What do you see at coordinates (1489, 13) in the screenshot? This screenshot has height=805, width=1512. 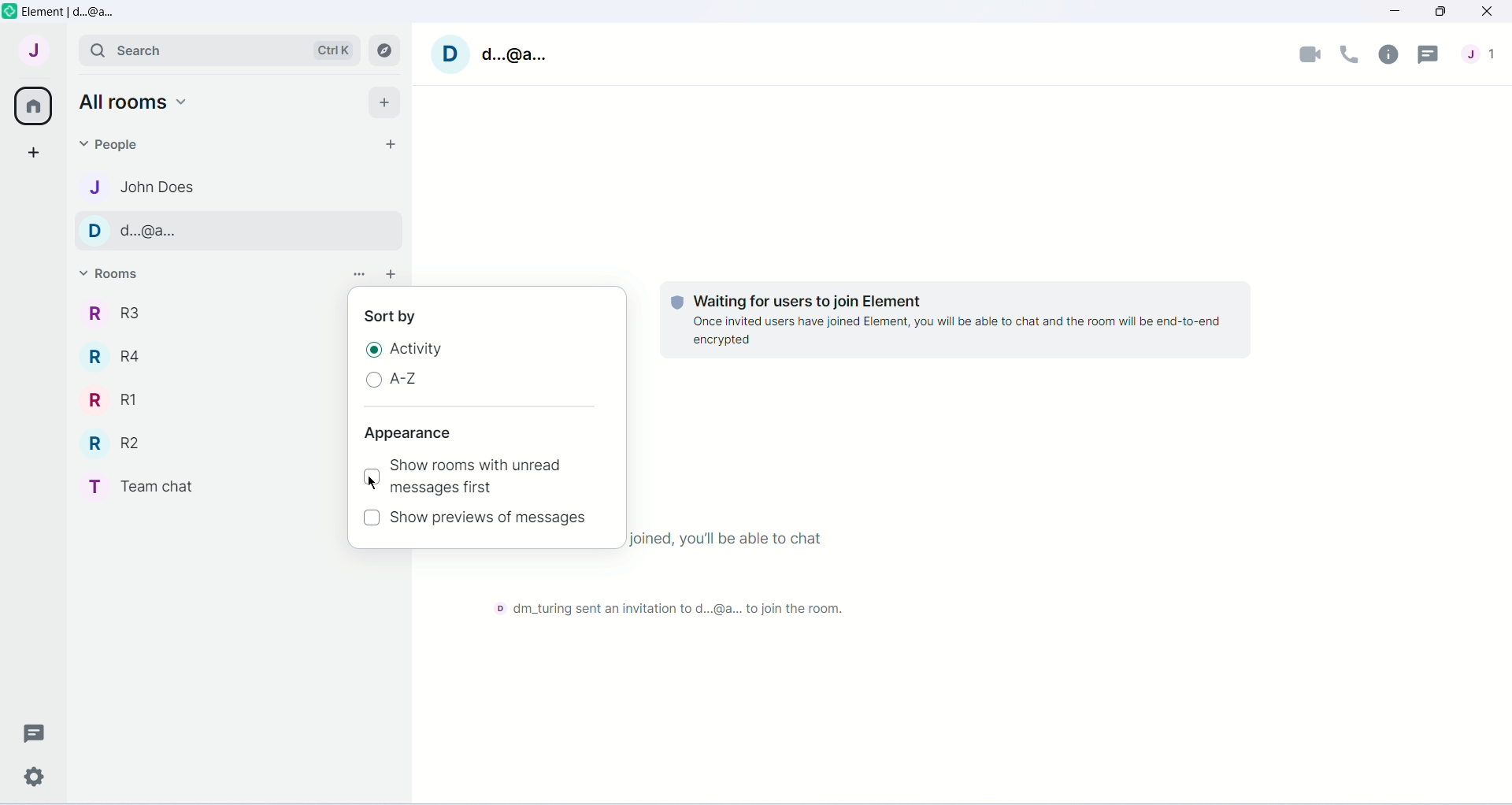 I see `Close` at bounding box center [1489, 13].